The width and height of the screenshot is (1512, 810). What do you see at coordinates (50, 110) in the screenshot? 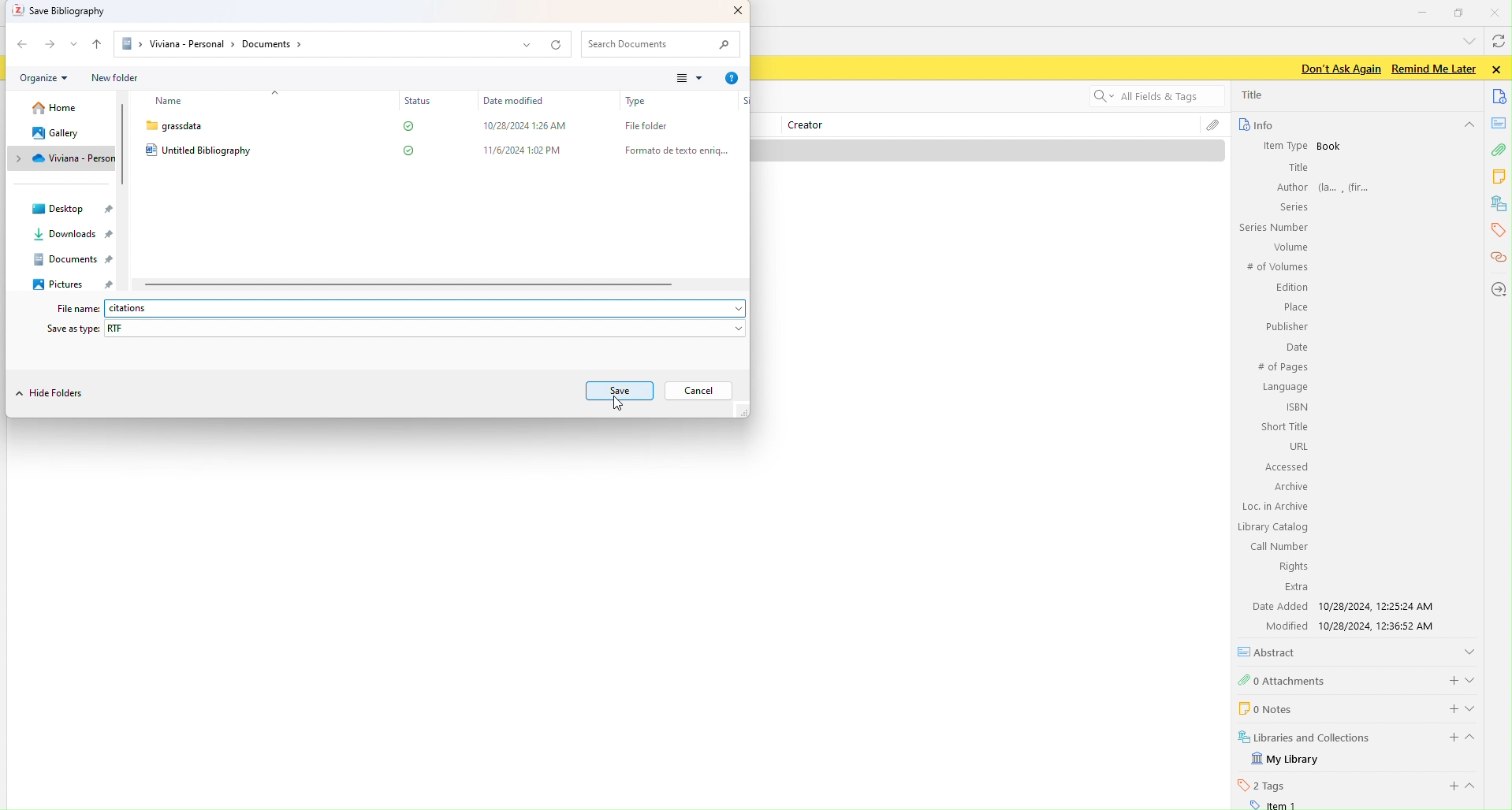
I see `Home` at bounding box center [50, 110].